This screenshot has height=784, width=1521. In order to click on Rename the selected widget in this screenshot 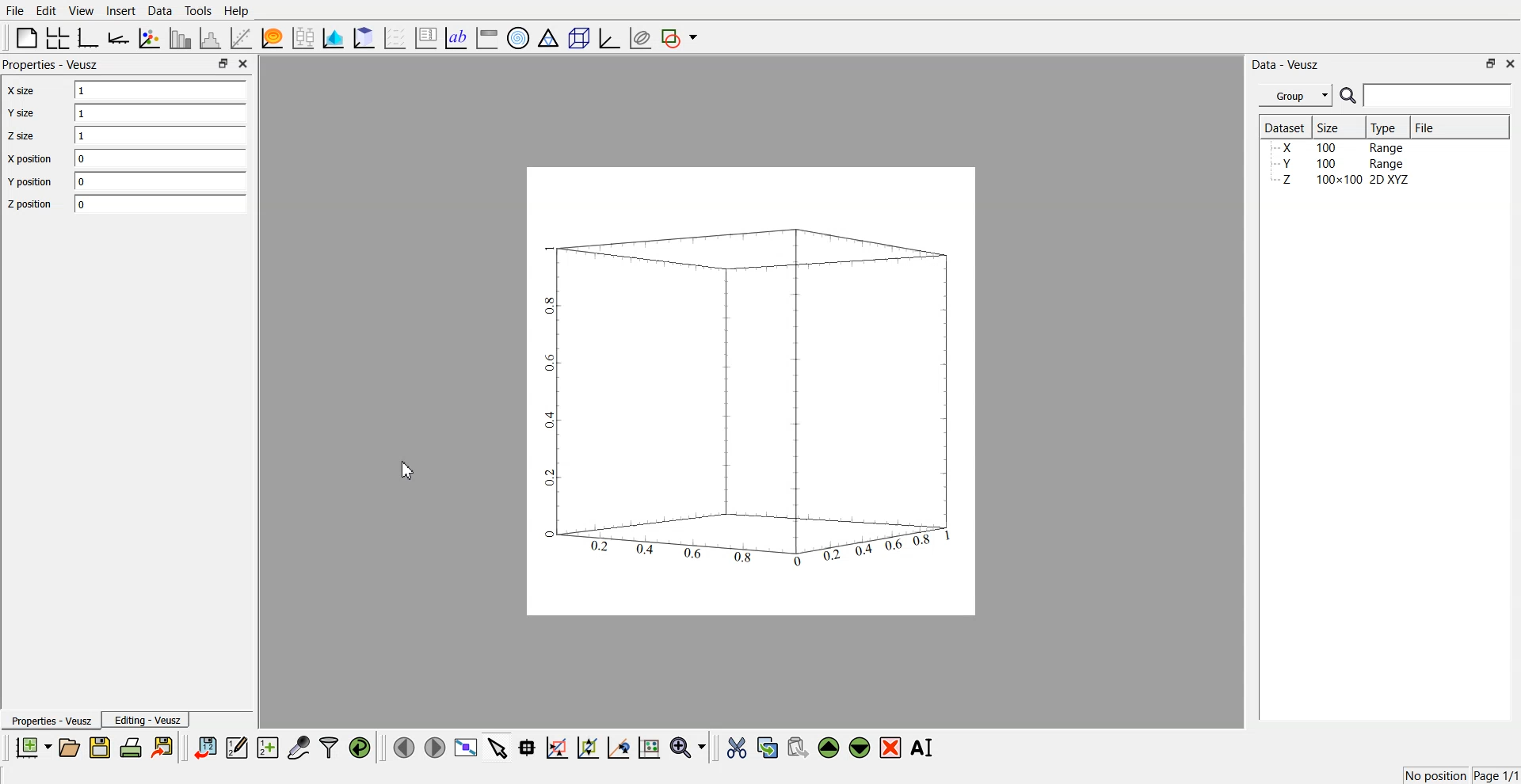, I will do `click(924, 748)`.